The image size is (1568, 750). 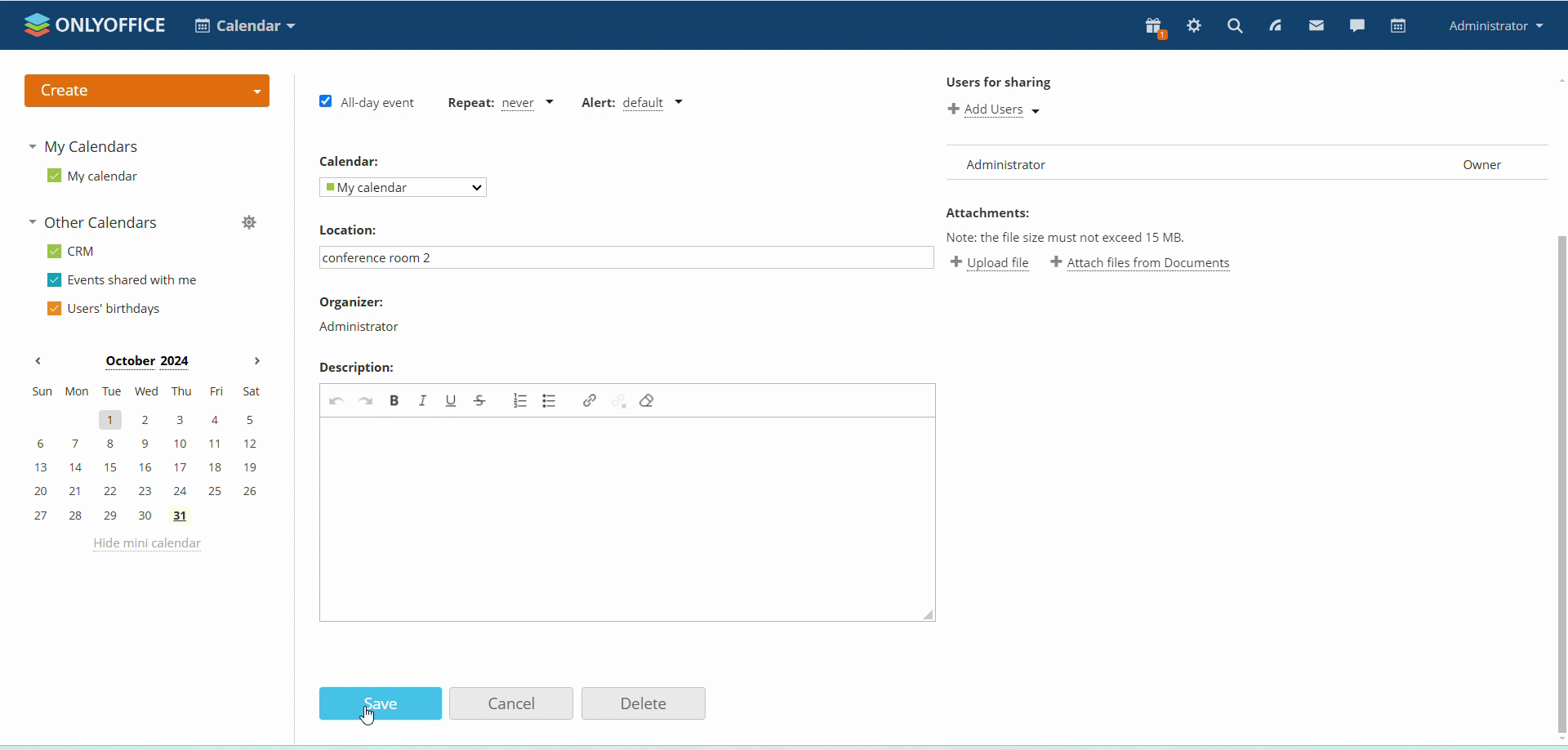 What do you see at coordinates (992, 110) in the screenshot?
I see `add users` at bounding box center [992, 110].